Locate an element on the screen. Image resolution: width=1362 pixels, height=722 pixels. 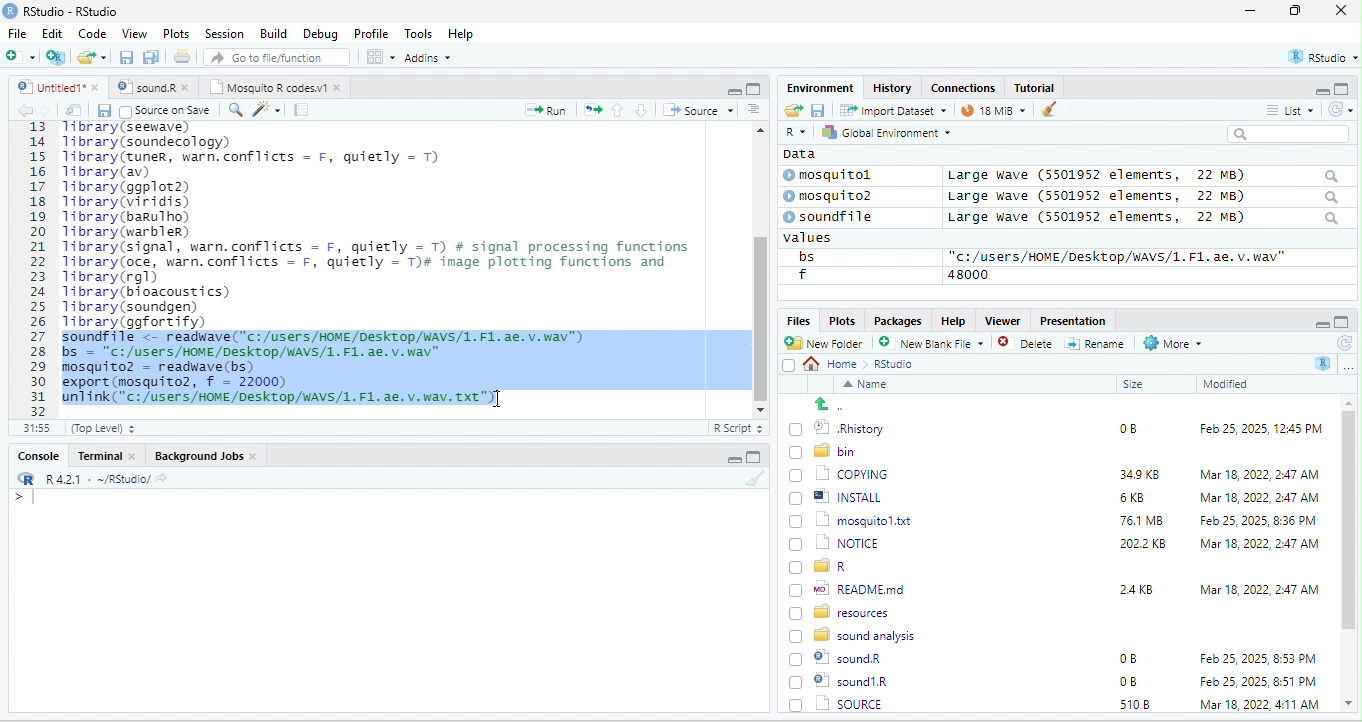
syntax is located at coordinates (20, 500).